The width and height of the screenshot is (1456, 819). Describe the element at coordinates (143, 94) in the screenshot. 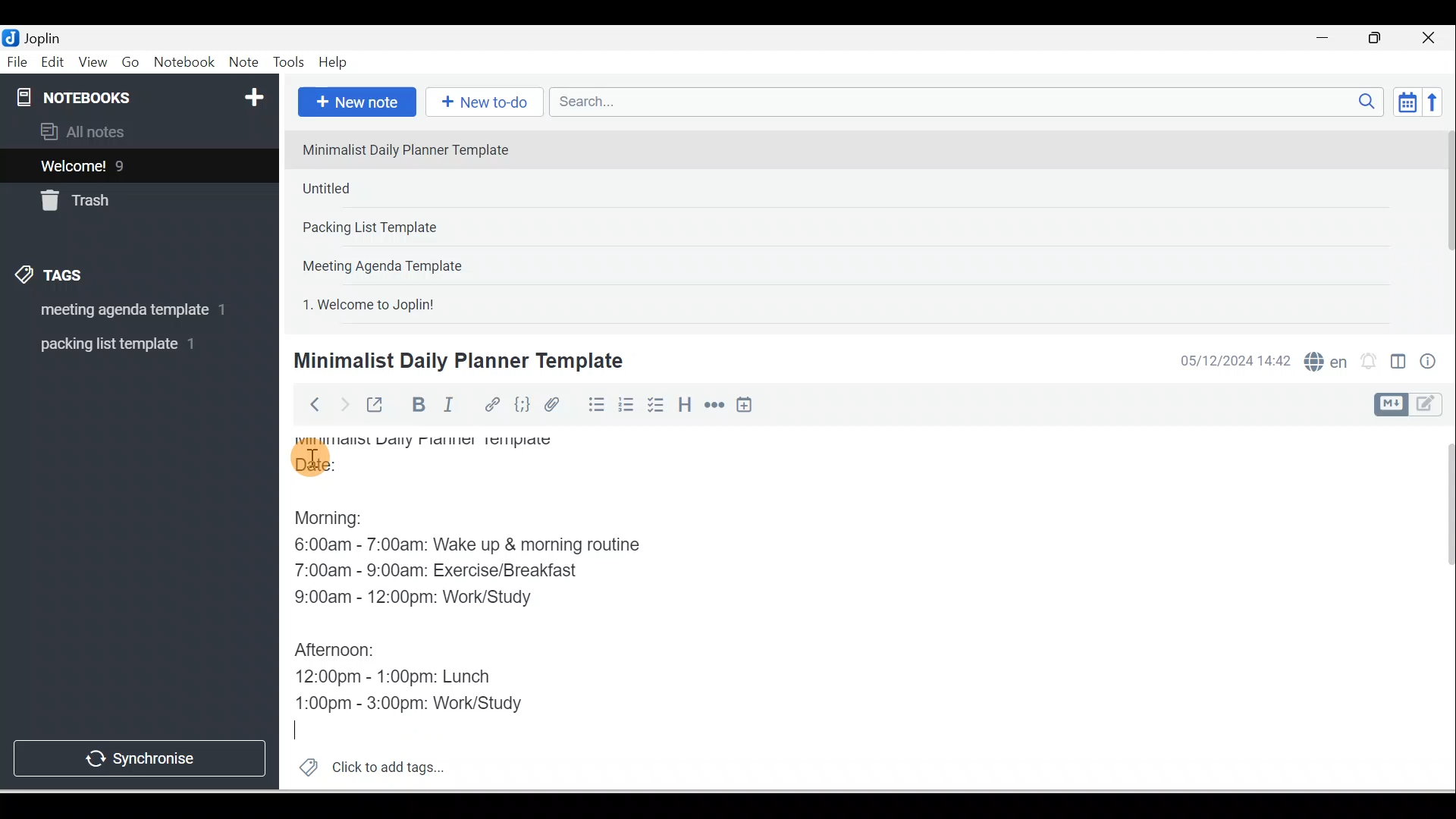

I see `Notebooks` at that location.